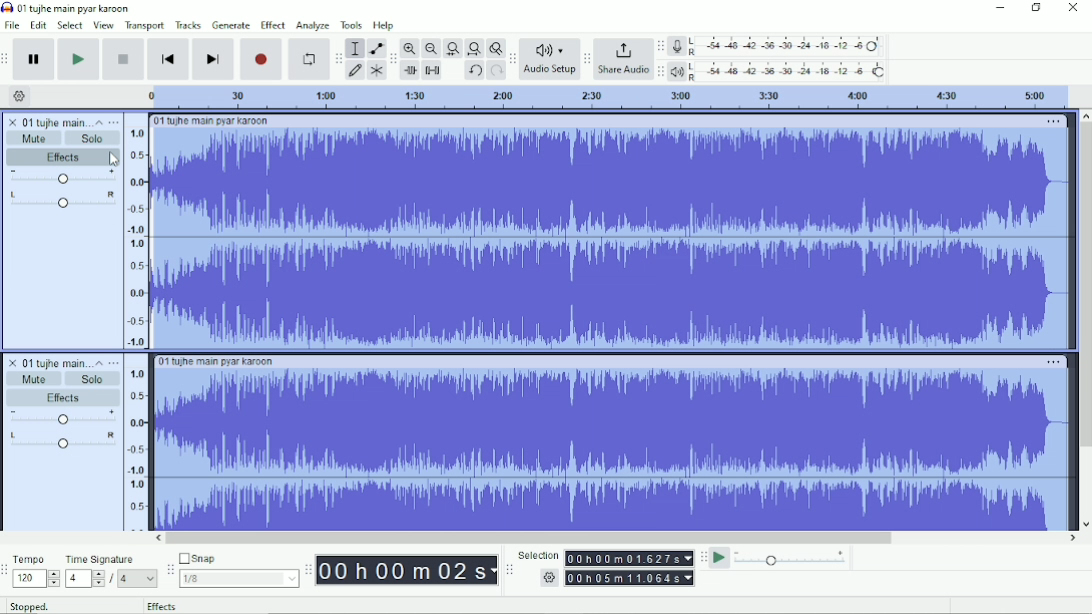 This screenshot has width=1092, height=614. Describe the element at coordinates (7, 570) in the screenshot. I see `Audacity time signature toolbar` at that location.